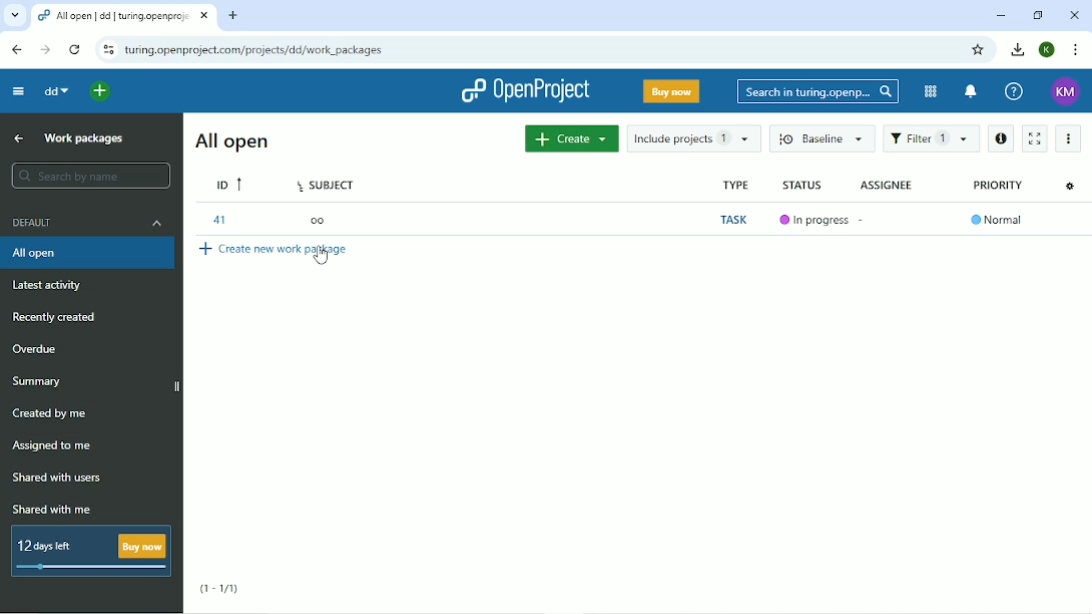  I want to click on Site, so click(255, 51).